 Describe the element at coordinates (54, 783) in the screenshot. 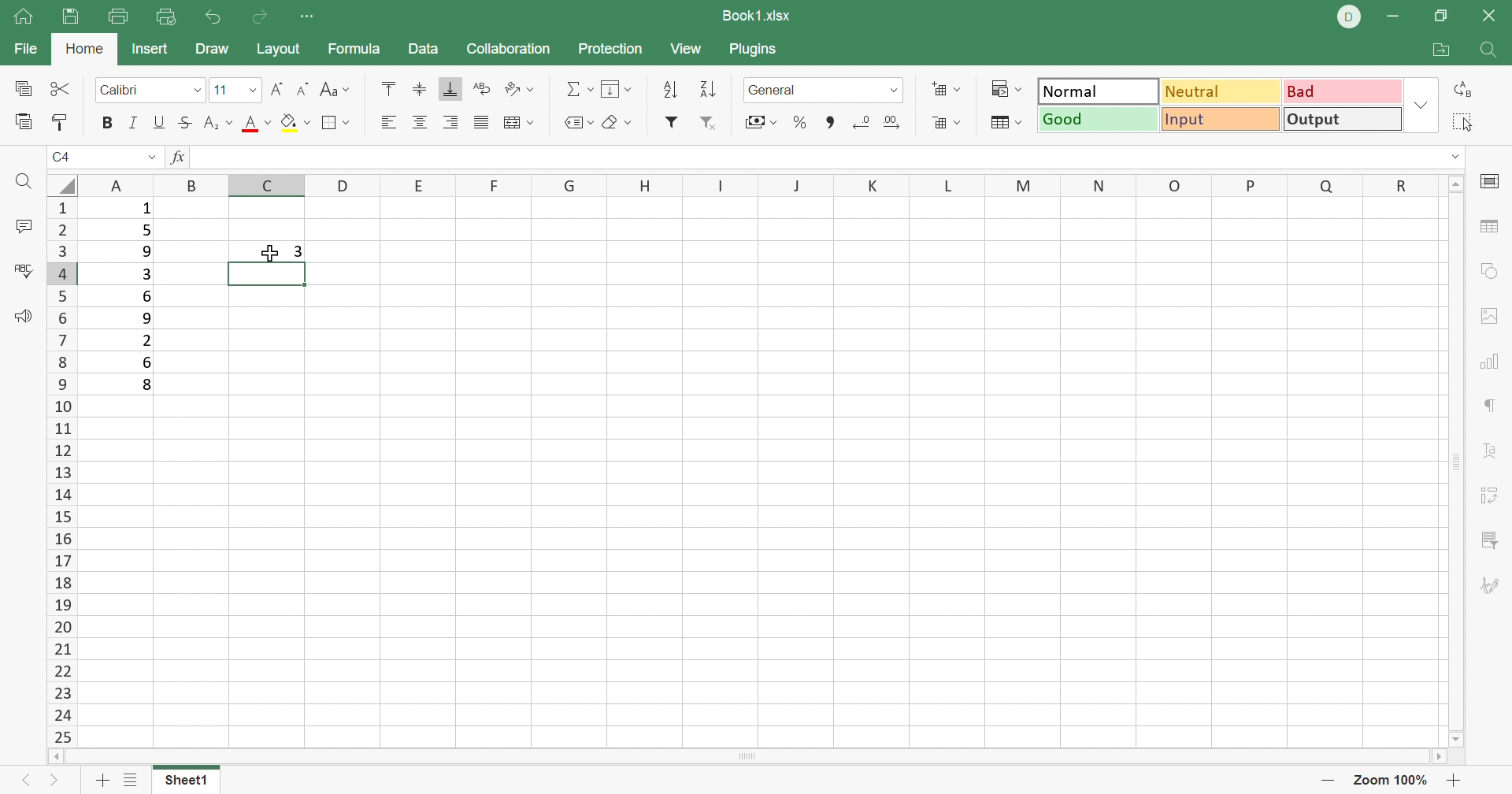

I see `Next` at that location.